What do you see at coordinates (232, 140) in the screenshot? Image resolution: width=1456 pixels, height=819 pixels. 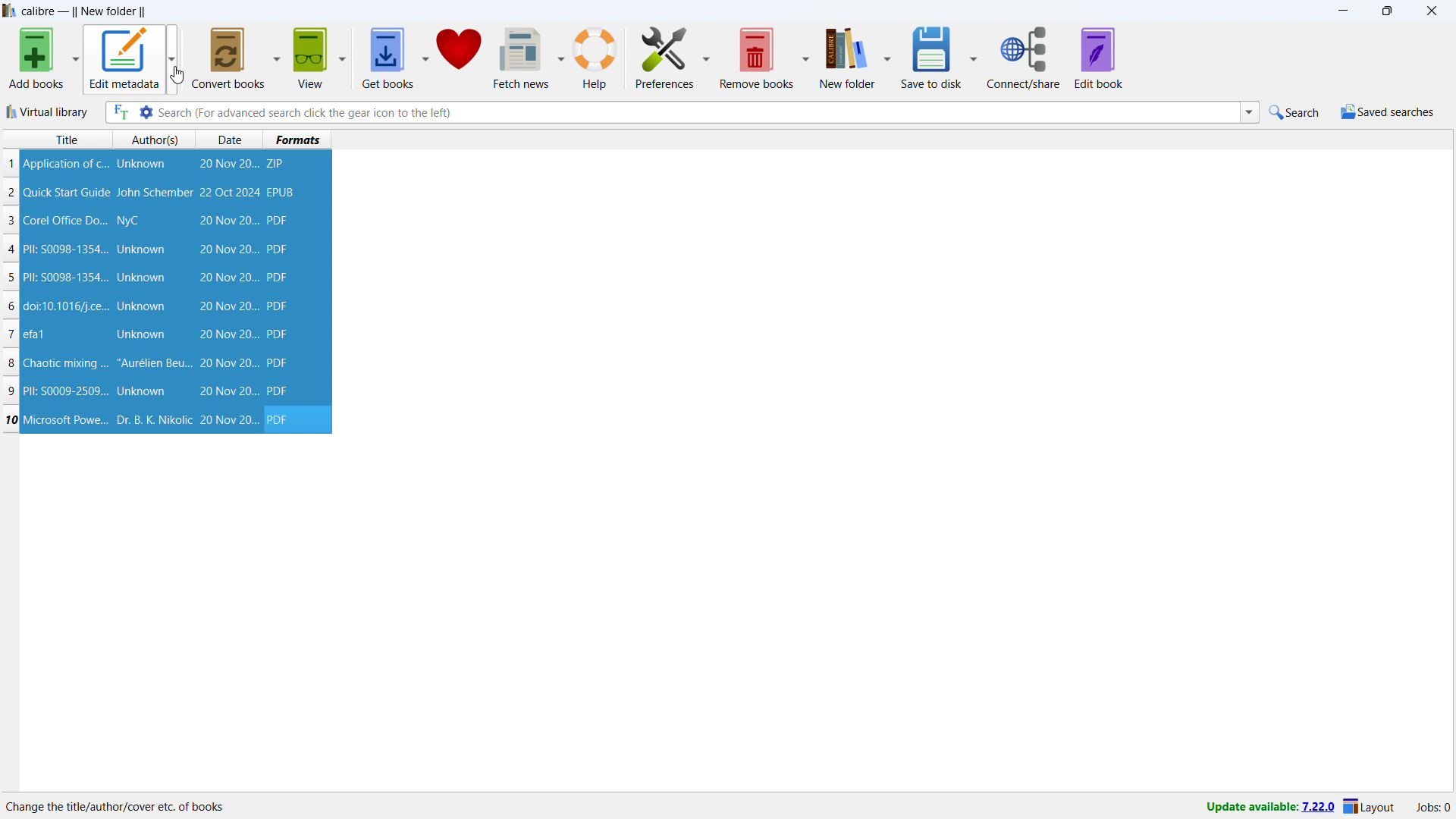 I see `Date` at bounding box center [232, 140].